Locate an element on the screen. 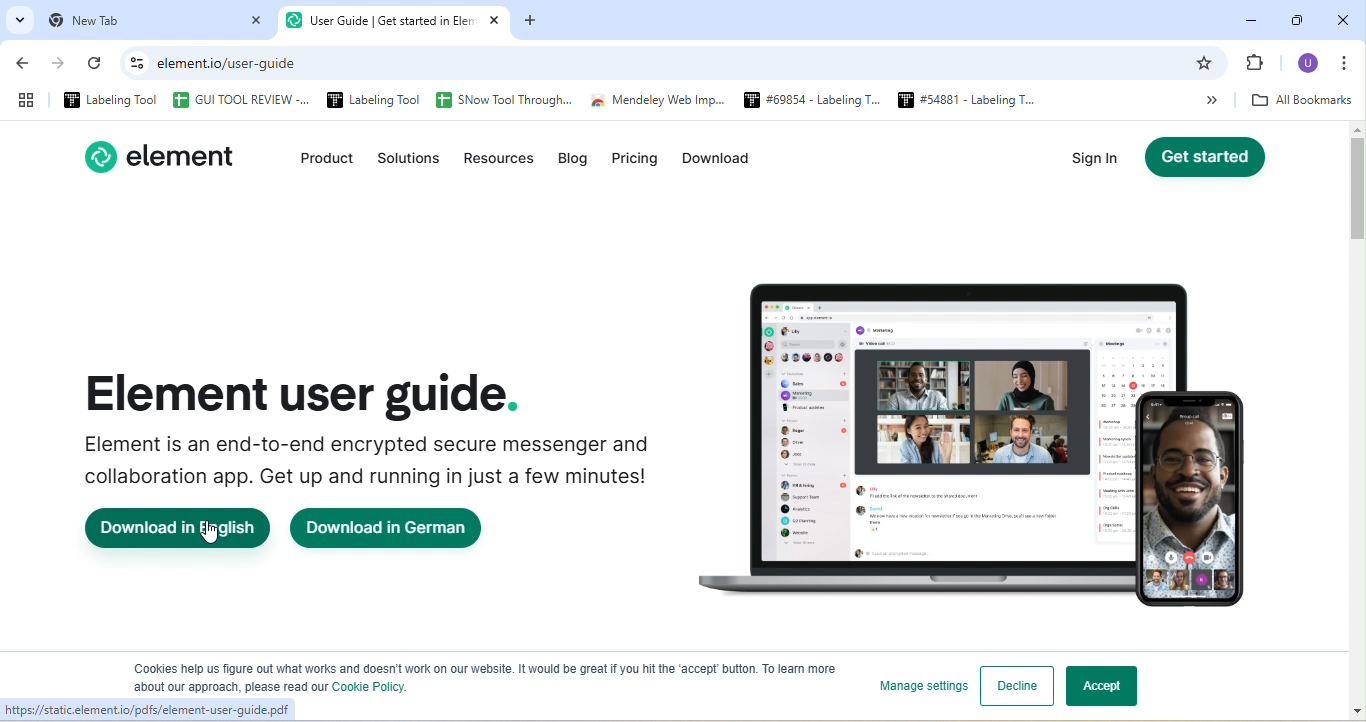  download in english is located at coordinates (178, 528).